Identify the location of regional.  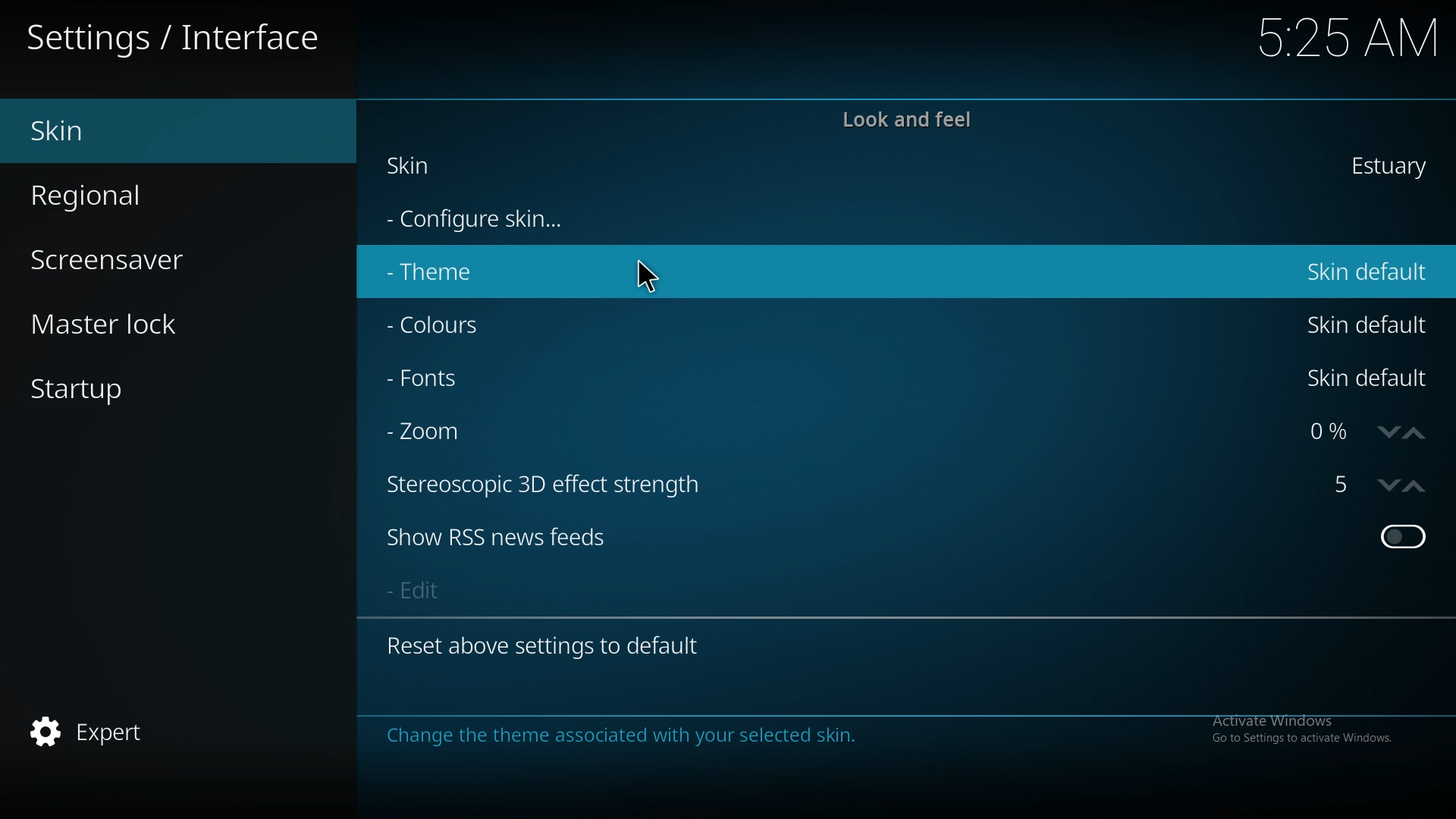
(128, 196).